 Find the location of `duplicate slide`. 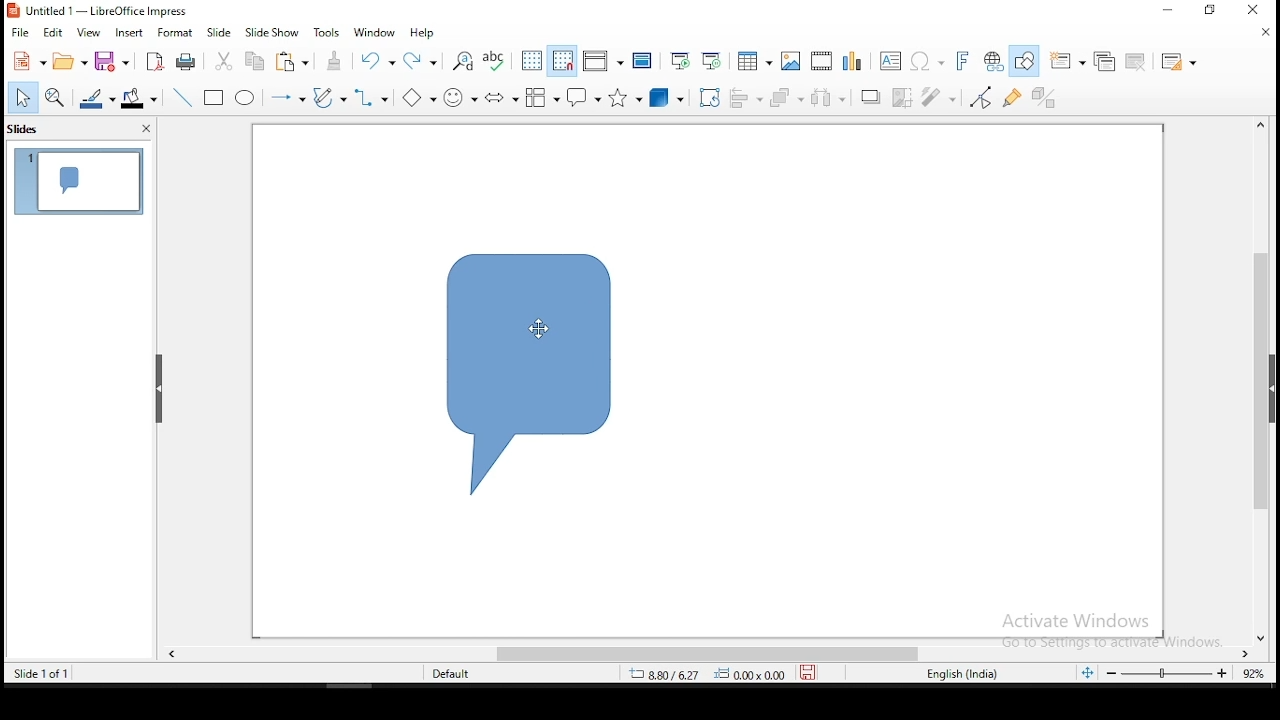

duplicate slide is located at coordinates (1106, 60).